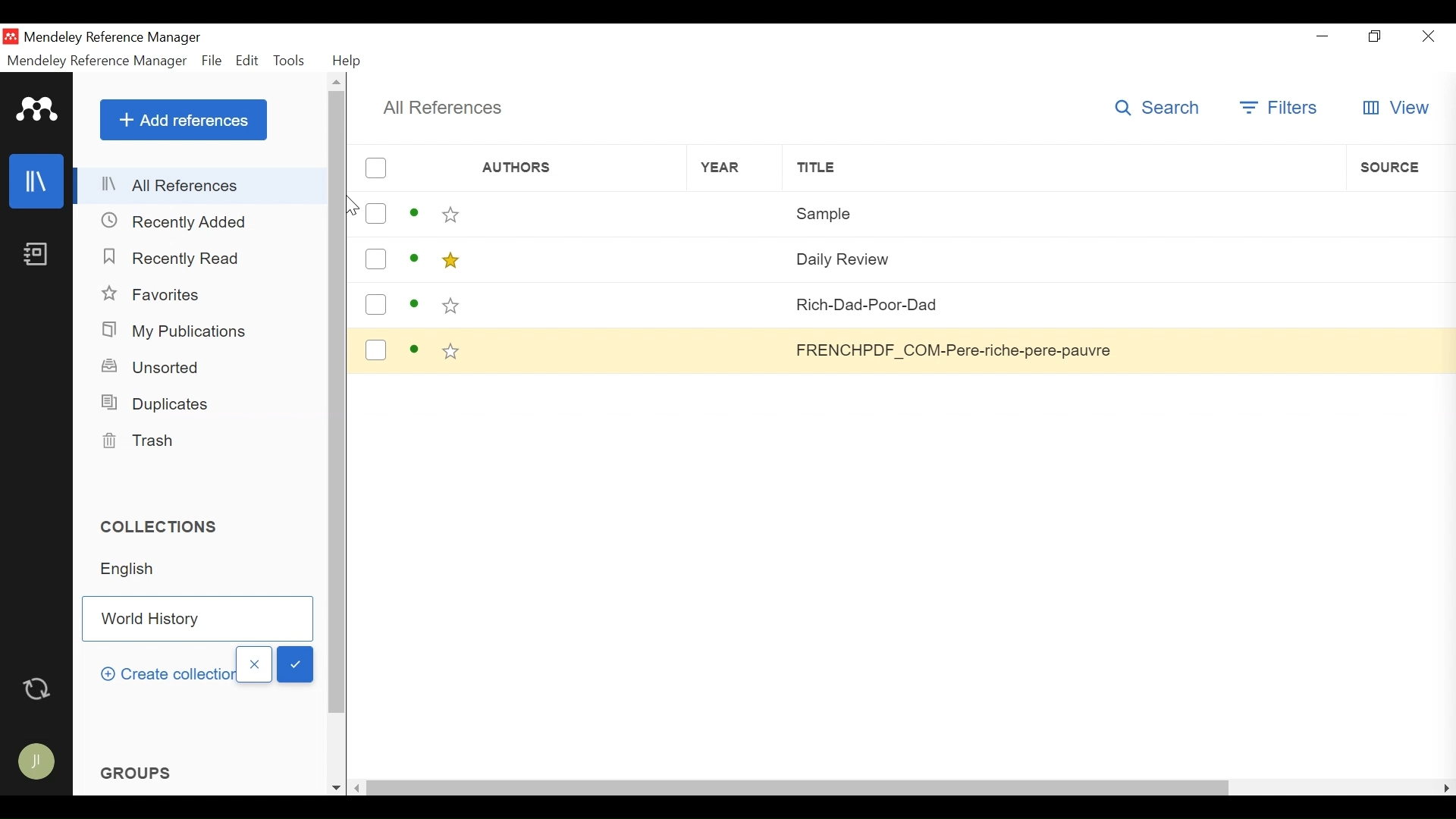 Image resolution: width=1456 pixels, height=819 pixels. I want to click on Notebook, so click(36, 256).